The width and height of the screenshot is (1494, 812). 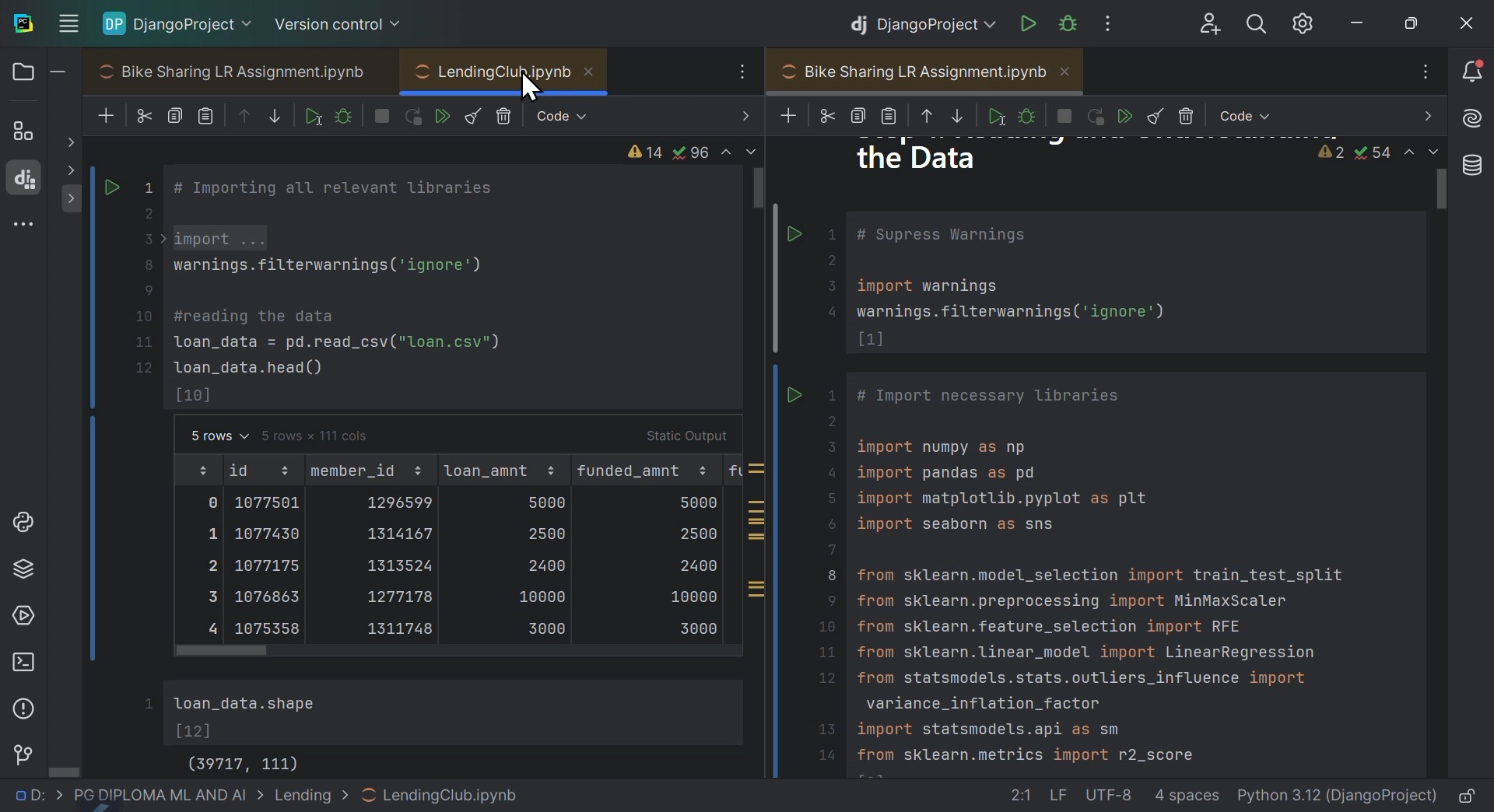 I want to click on New files, so click(x=104, y=115).